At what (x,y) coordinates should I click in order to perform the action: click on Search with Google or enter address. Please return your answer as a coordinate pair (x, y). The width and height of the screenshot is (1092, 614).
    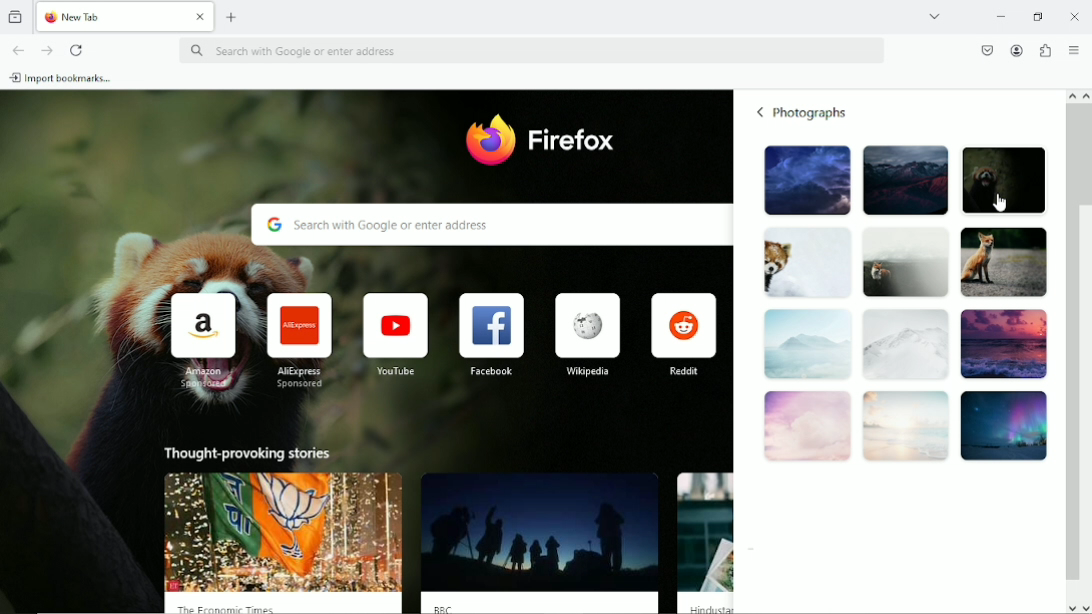
    Looking at the image, I should click on (487, 225).